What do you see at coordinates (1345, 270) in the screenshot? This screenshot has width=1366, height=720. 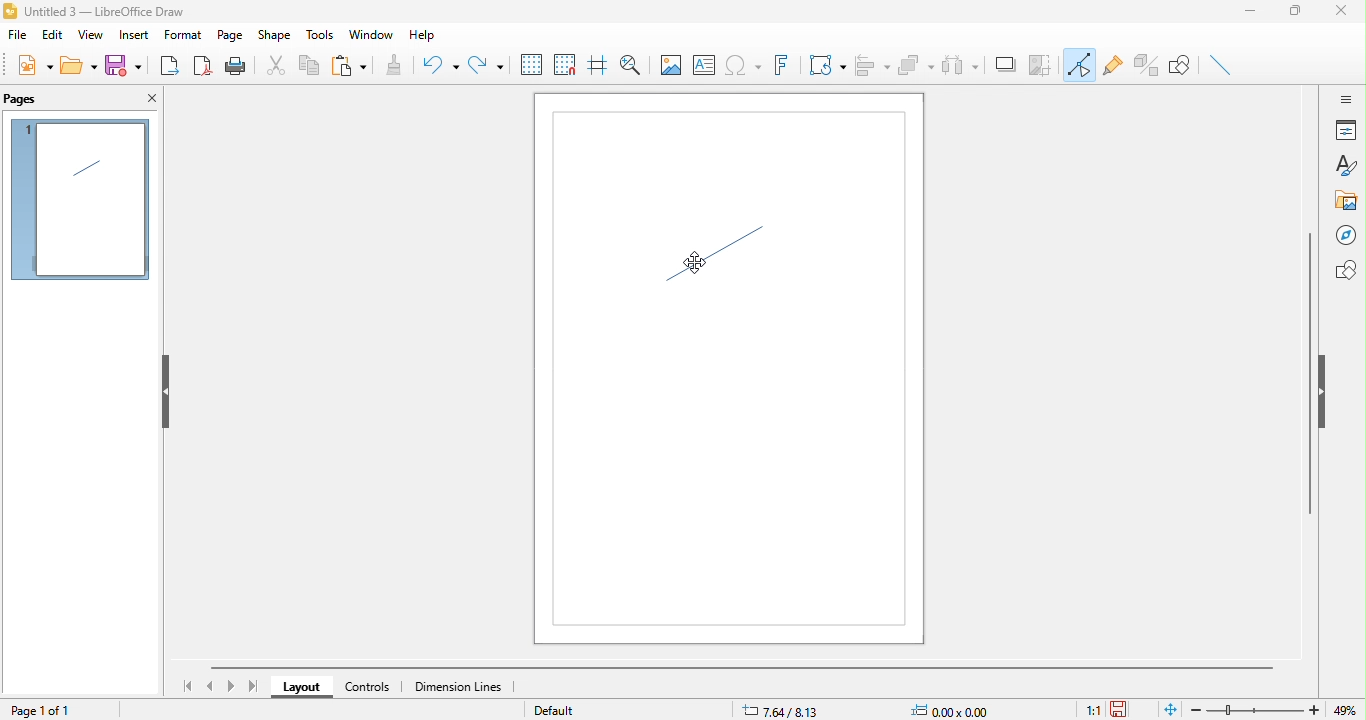 I see `shapes` at bounding box center [1345, 270].